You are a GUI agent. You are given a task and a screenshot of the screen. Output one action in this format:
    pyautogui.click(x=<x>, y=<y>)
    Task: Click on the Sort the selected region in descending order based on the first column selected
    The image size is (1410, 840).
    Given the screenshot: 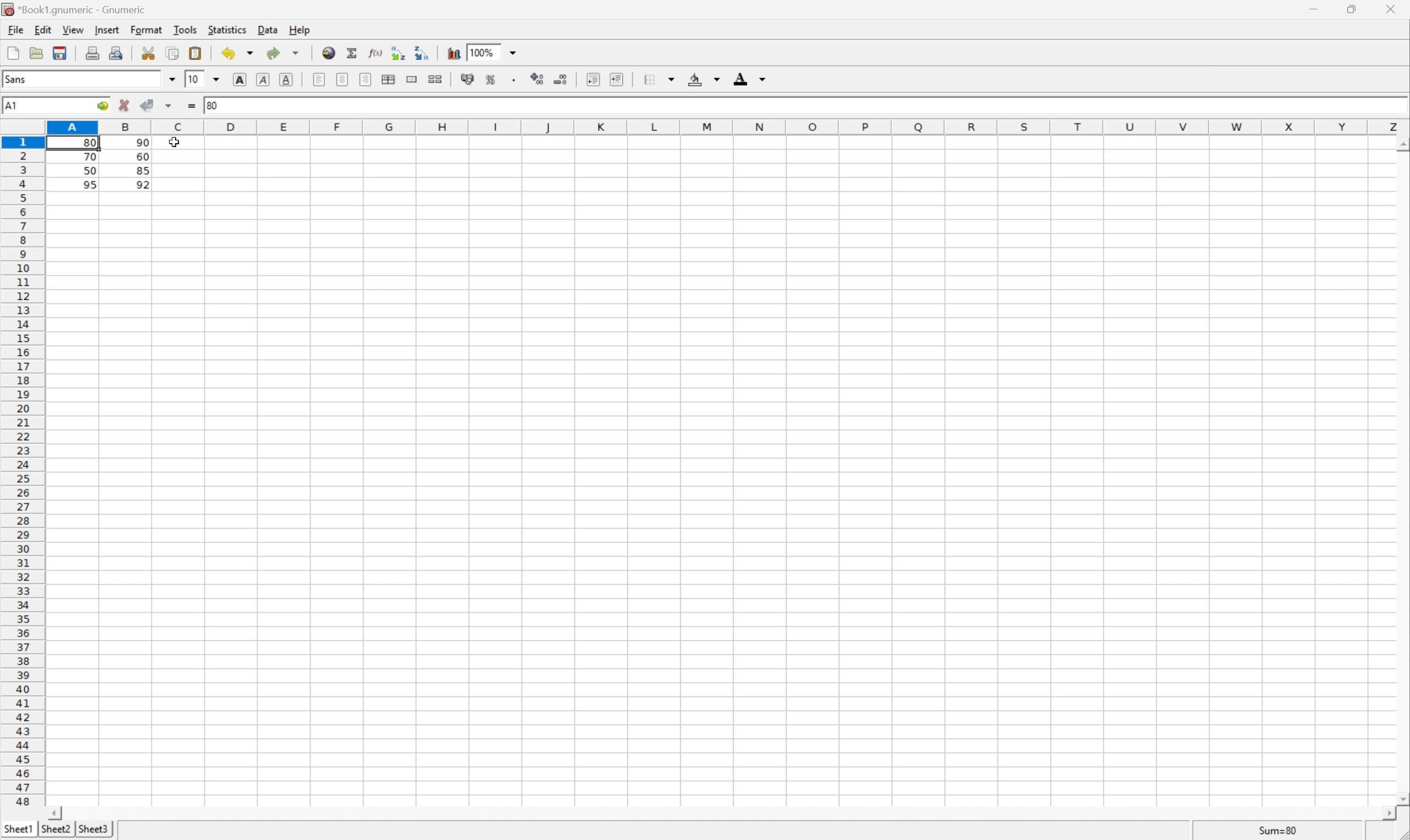 What is the action you would take?
    pyautogui.click(x=424, y=54)
    